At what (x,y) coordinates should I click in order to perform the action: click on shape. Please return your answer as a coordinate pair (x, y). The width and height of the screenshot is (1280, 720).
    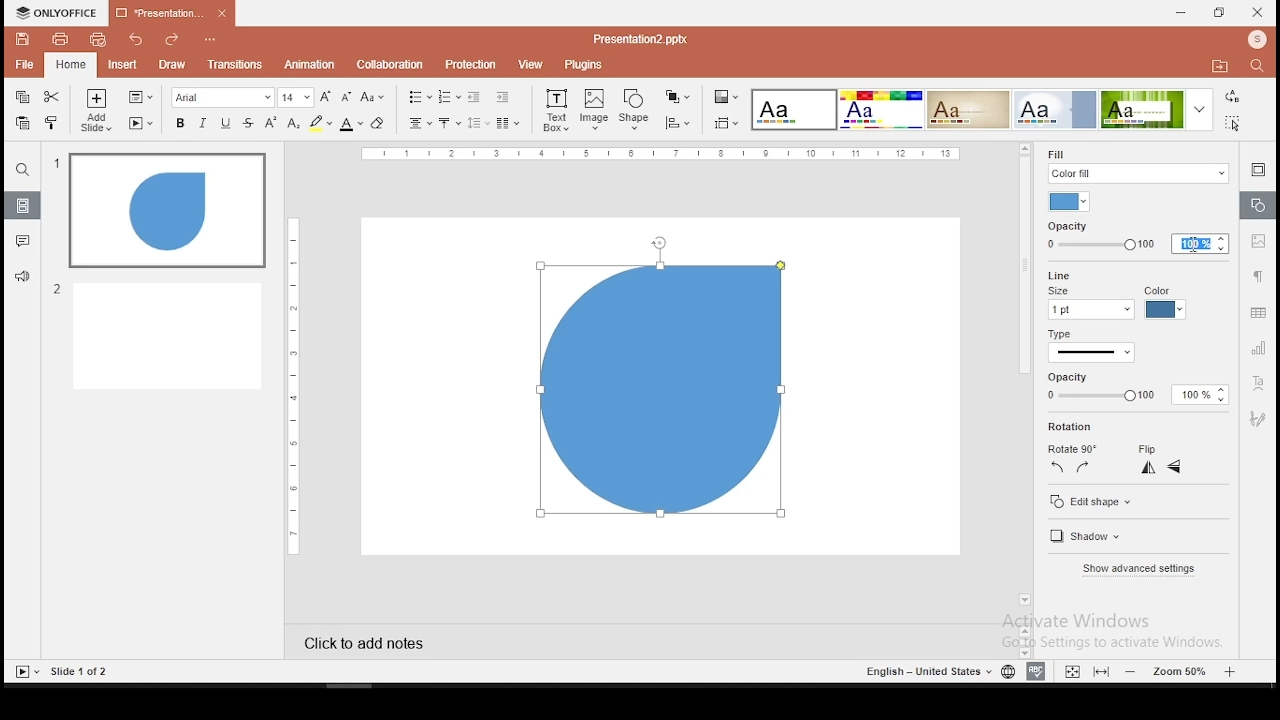
    Looking at the image, I should click on (636, 109).